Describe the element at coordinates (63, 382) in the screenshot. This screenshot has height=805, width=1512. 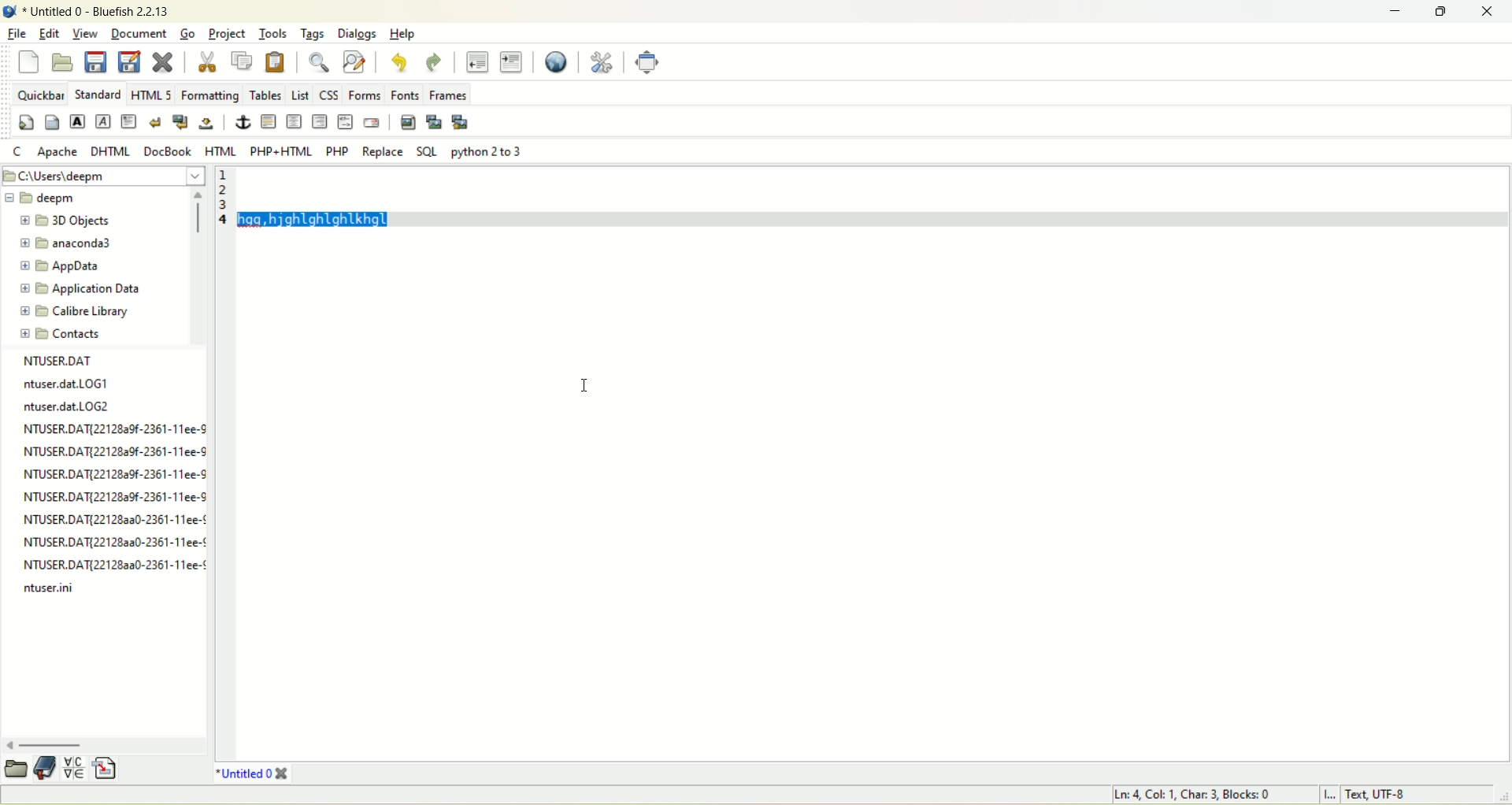
I see `ntuser.dat.LOG1` at that location.